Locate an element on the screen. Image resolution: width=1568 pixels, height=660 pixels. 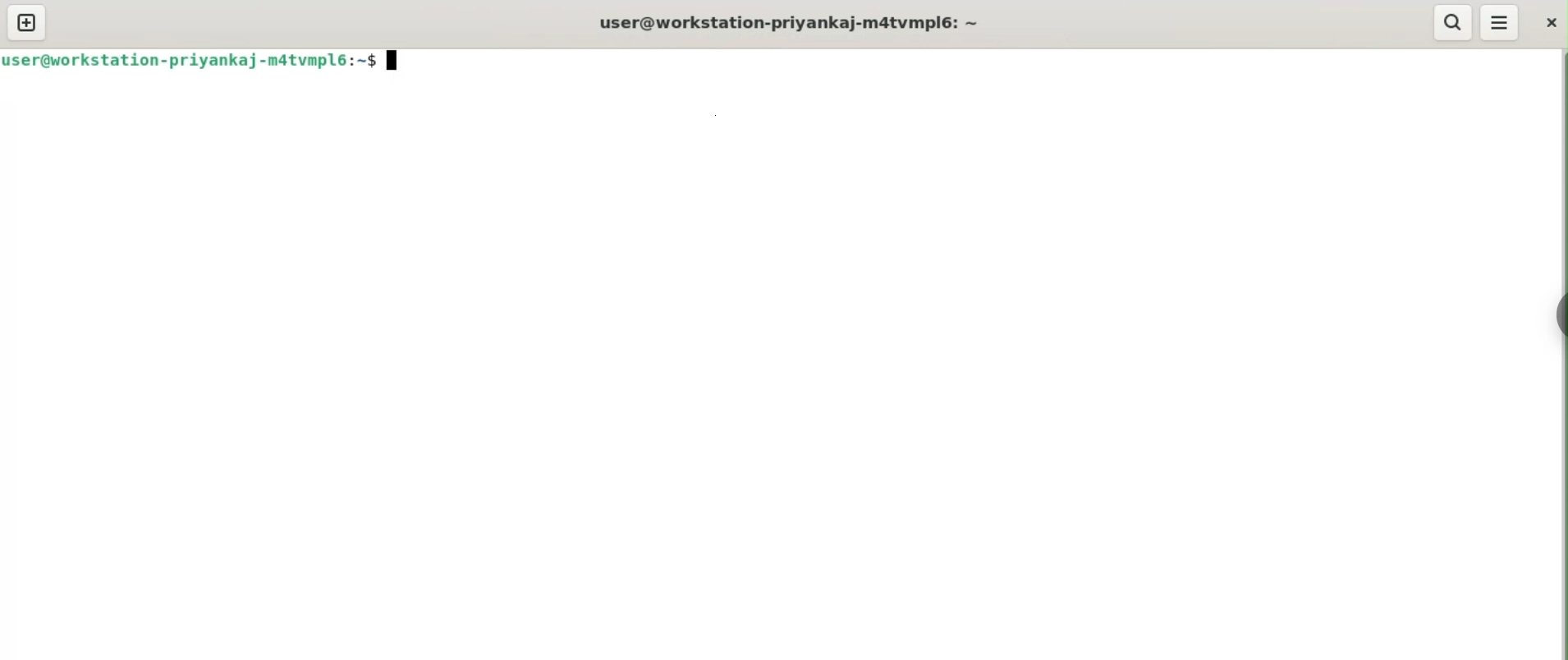
close is located at coordinates (1548, 22).